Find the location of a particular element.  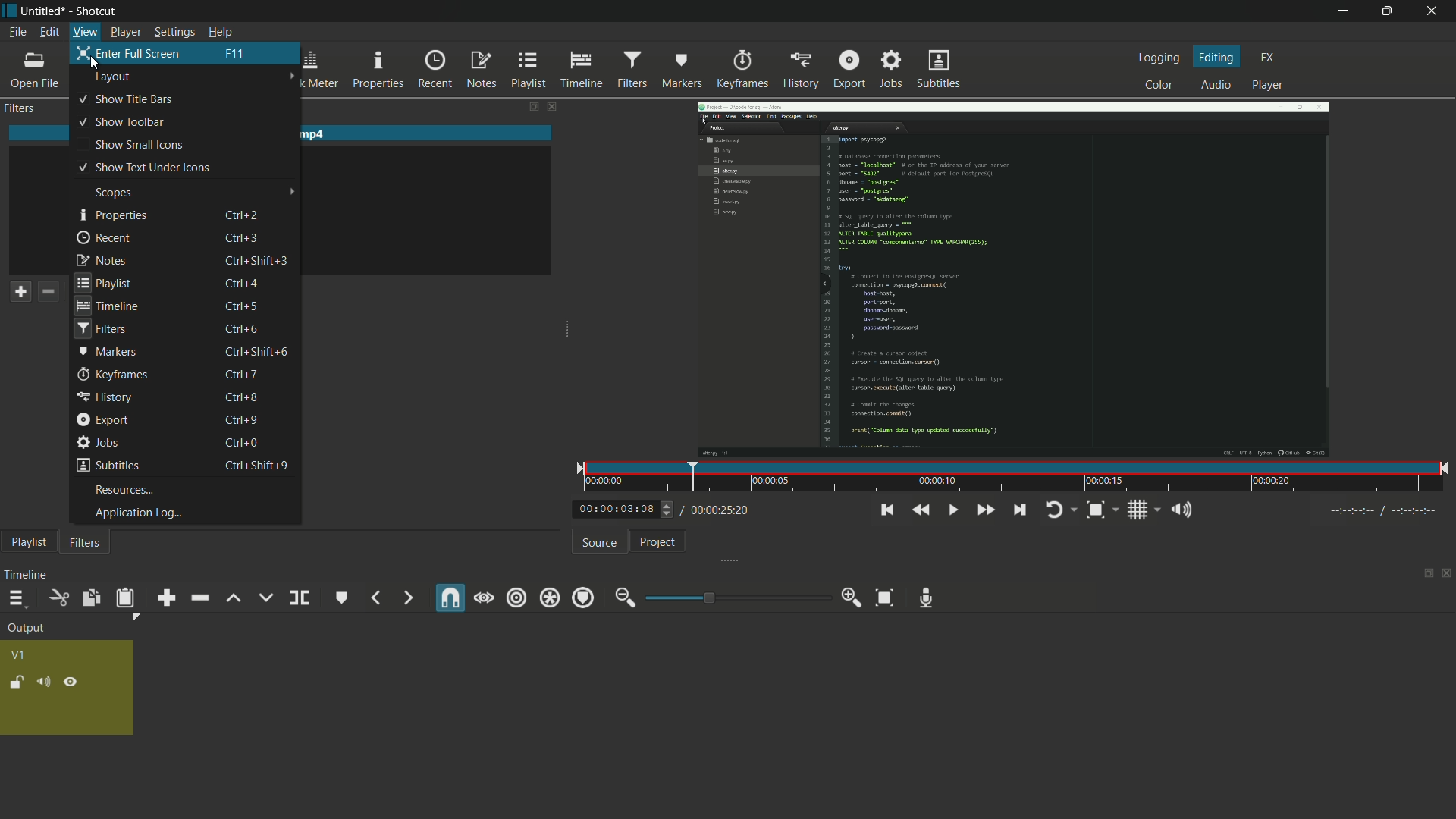

 is located at coordinates (93, 65).